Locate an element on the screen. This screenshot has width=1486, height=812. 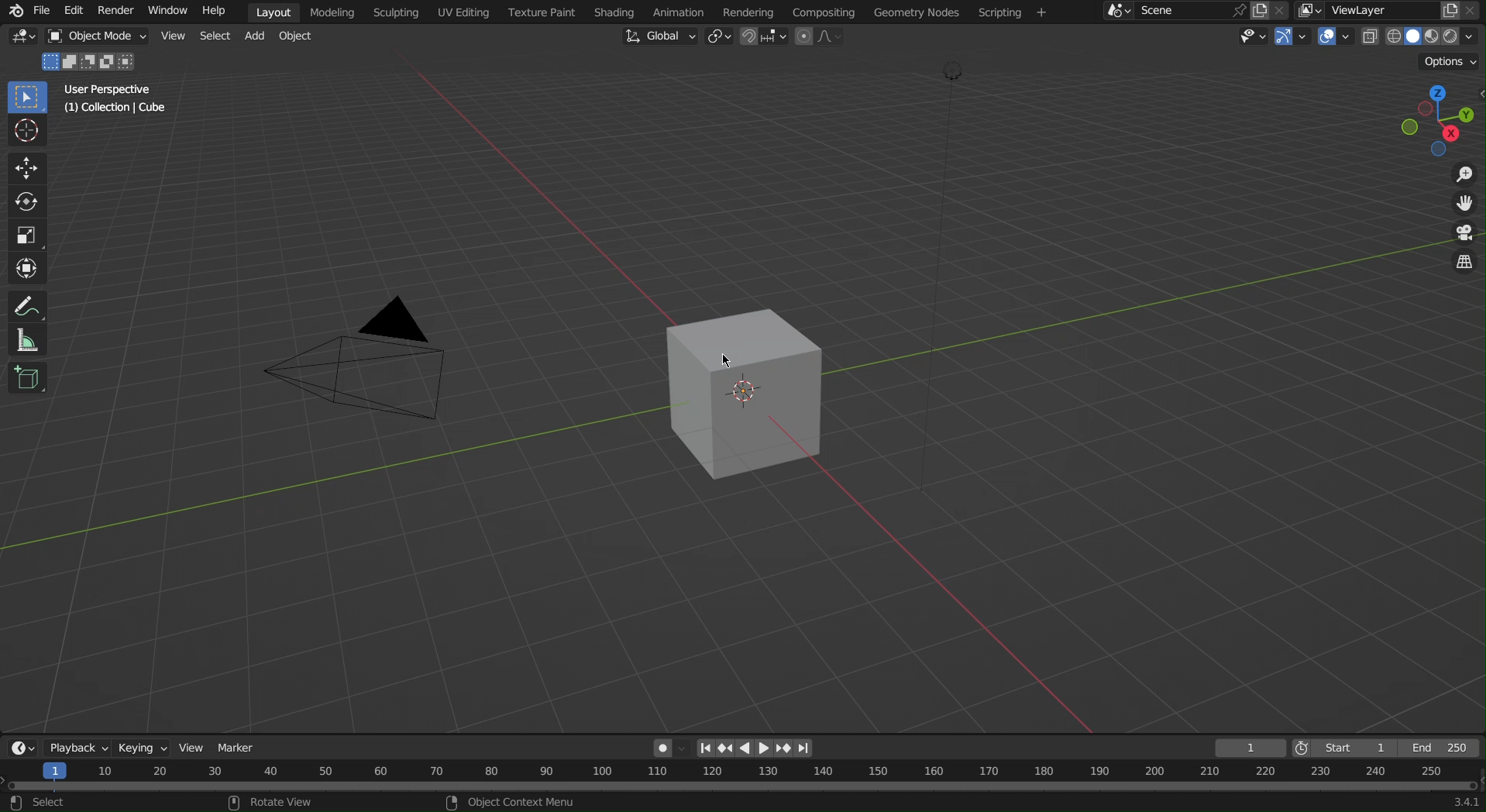
Move is located at coordinates (24, 167).